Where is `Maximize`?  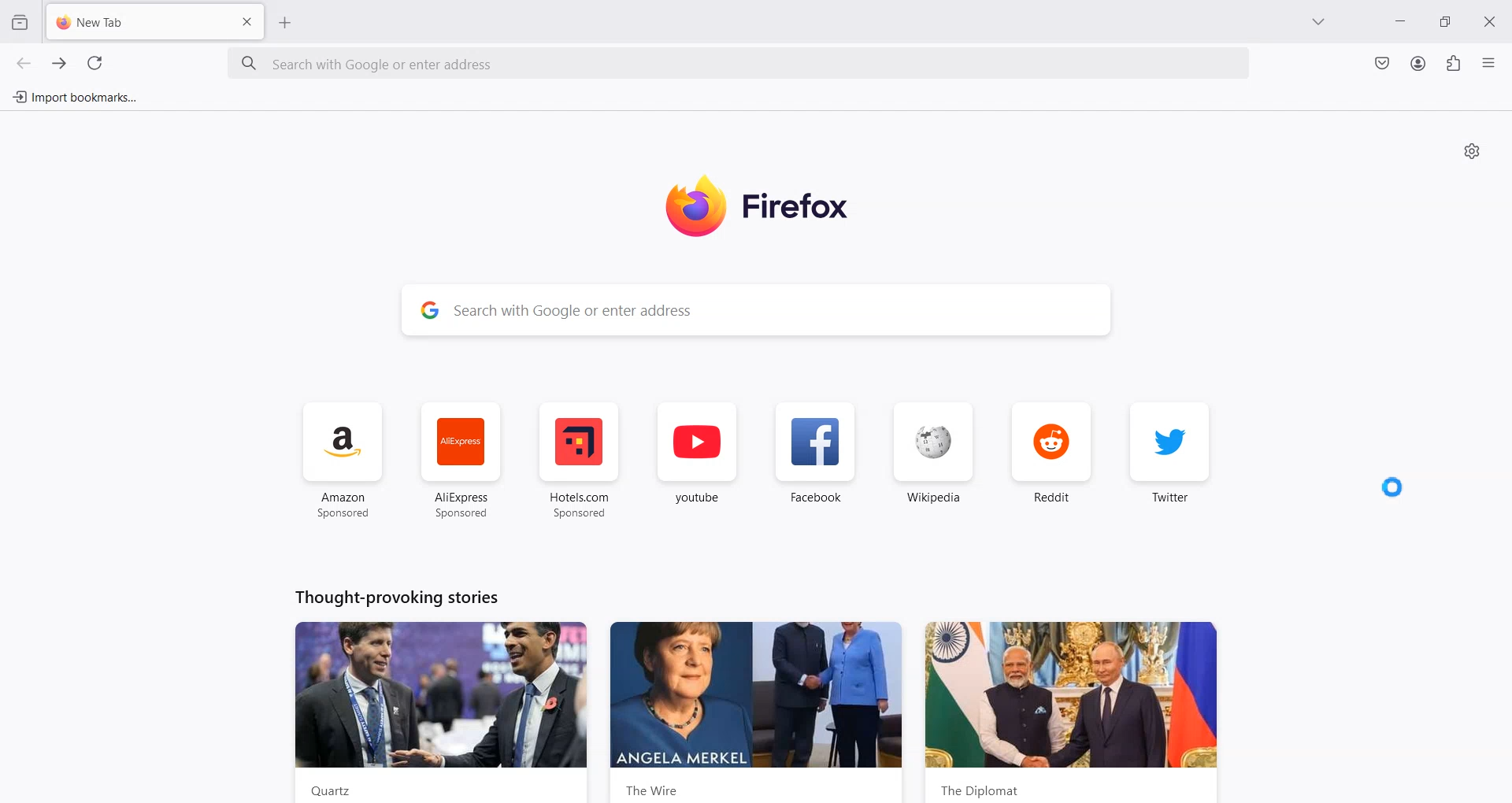 Maximize is located at coordinates (1448, 22).